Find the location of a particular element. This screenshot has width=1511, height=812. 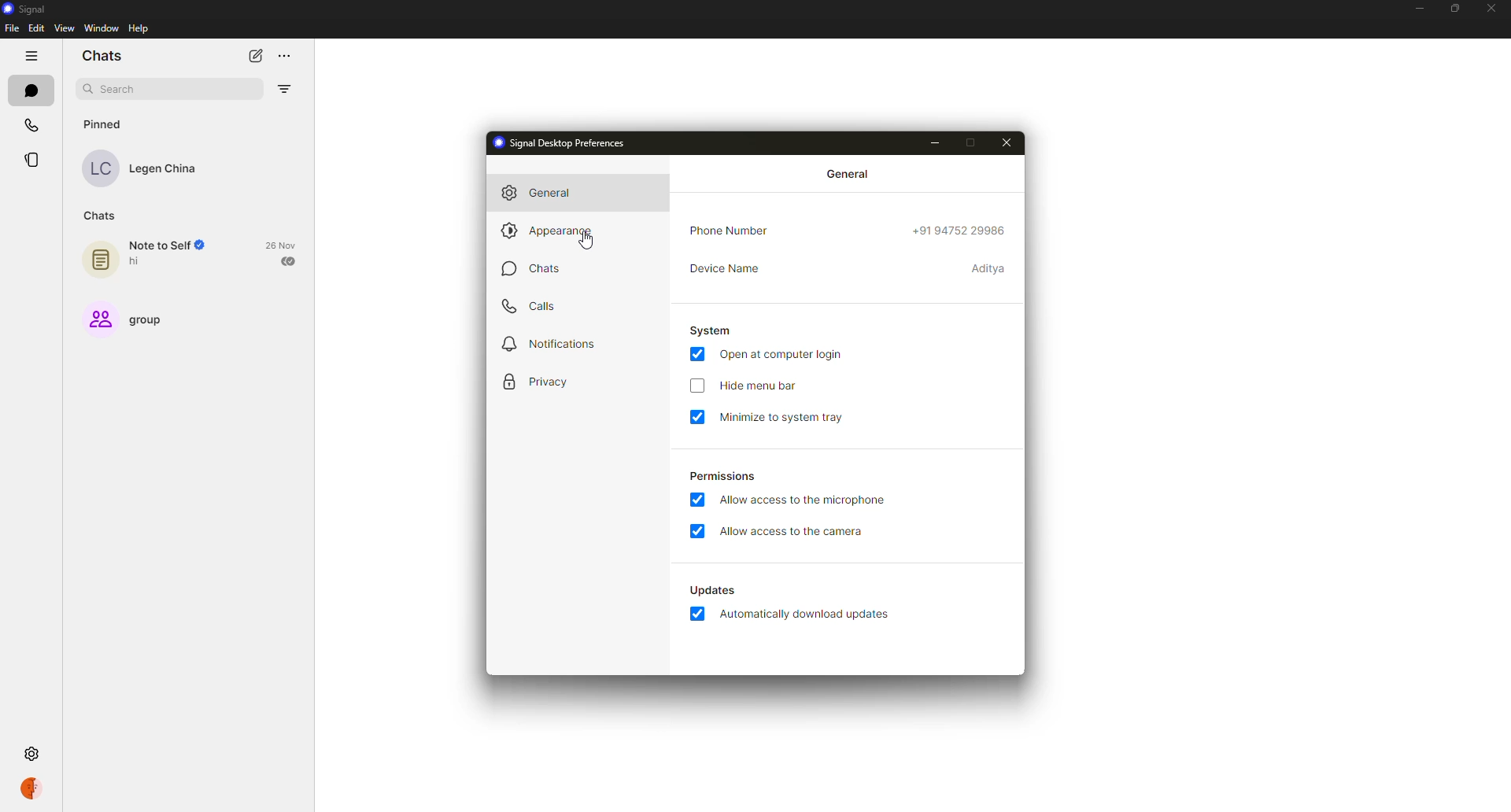

click to enable is located at coordinates (699, 385).